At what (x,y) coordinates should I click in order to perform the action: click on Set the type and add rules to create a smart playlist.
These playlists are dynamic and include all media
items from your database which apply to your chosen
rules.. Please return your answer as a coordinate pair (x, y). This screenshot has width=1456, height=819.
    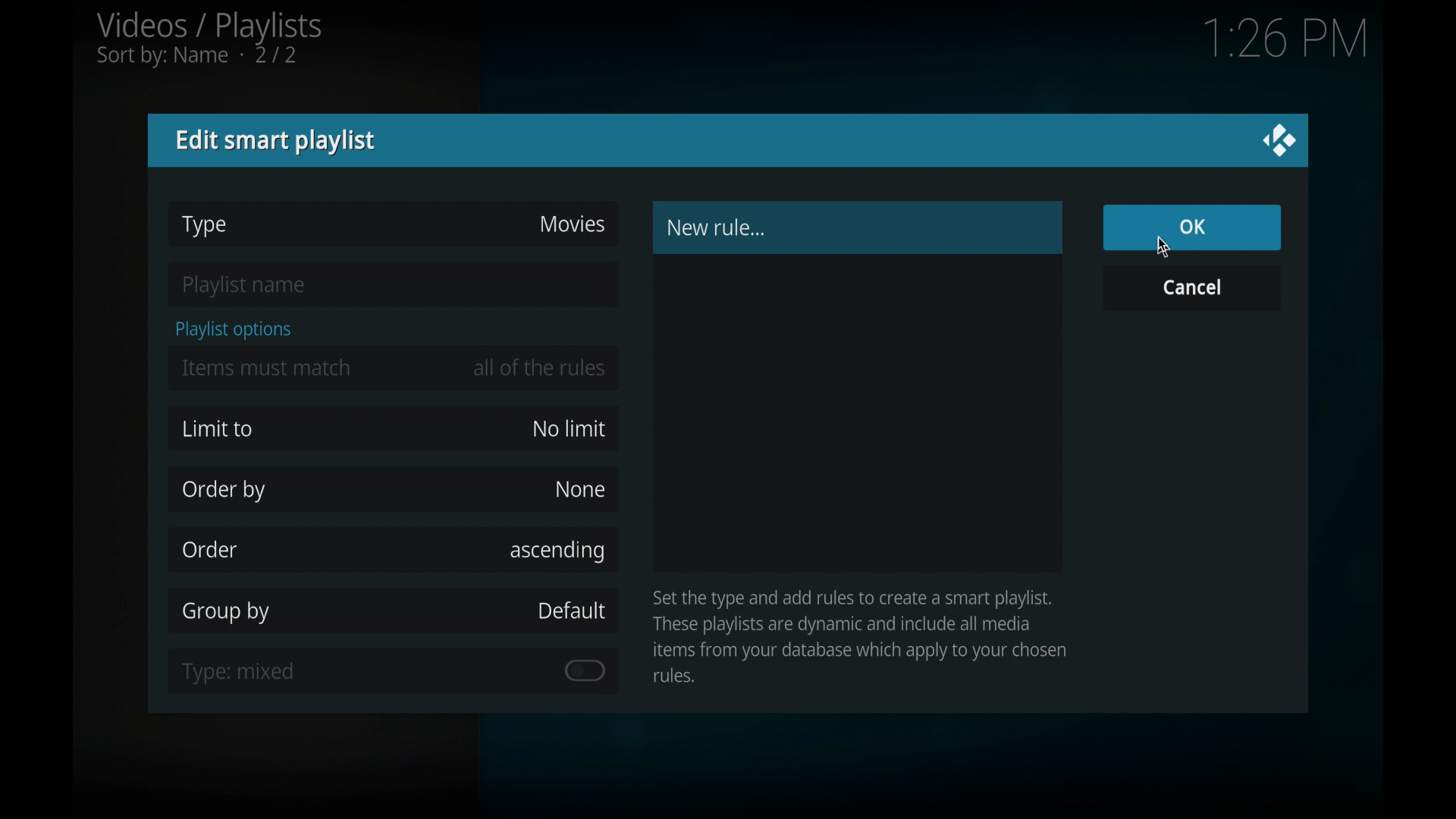
    Looking at the image, I should click on (865, 634).